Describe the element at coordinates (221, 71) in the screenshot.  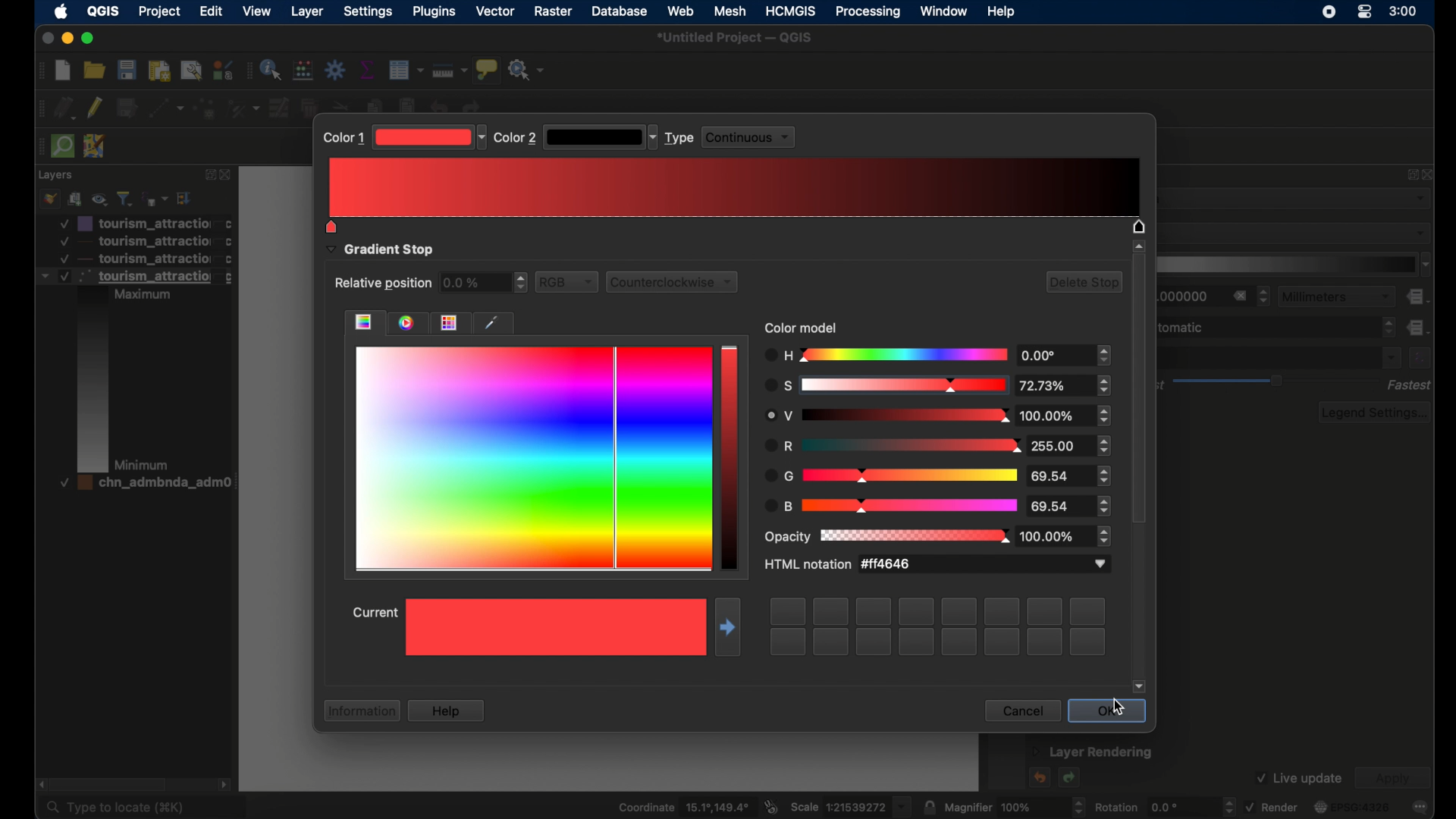
I see `styling manager` at that location.